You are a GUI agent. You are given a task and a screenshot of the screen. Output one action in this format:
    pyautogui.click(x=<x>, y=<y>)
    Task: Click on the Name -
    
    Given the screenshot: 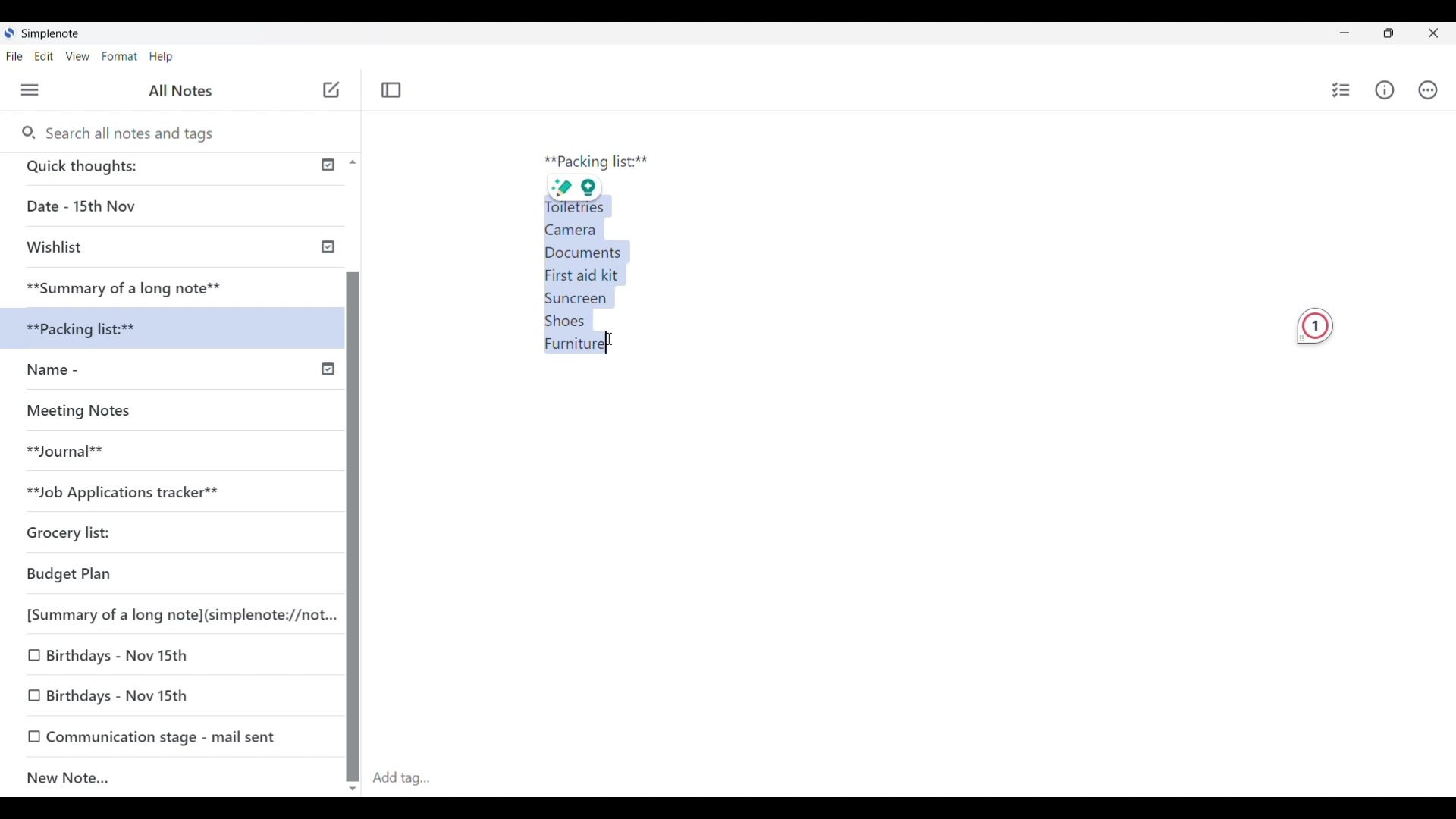 What is the action you would take?
    pyautogui.click(x=85, y=372)
    